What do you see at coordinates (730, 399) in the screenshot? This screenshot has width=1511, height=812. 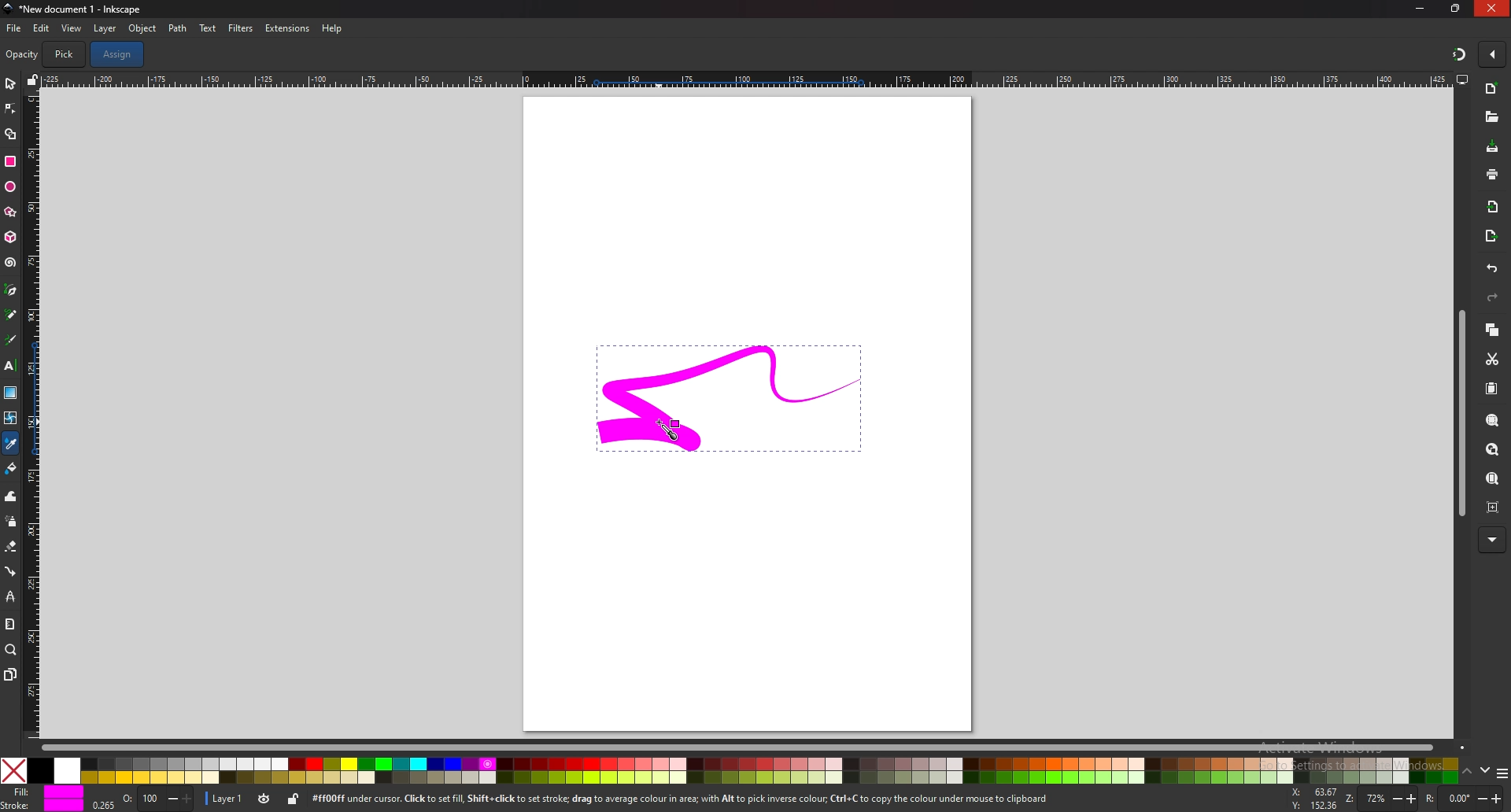 I see `selected drawing` at bounding box center [730, 399].